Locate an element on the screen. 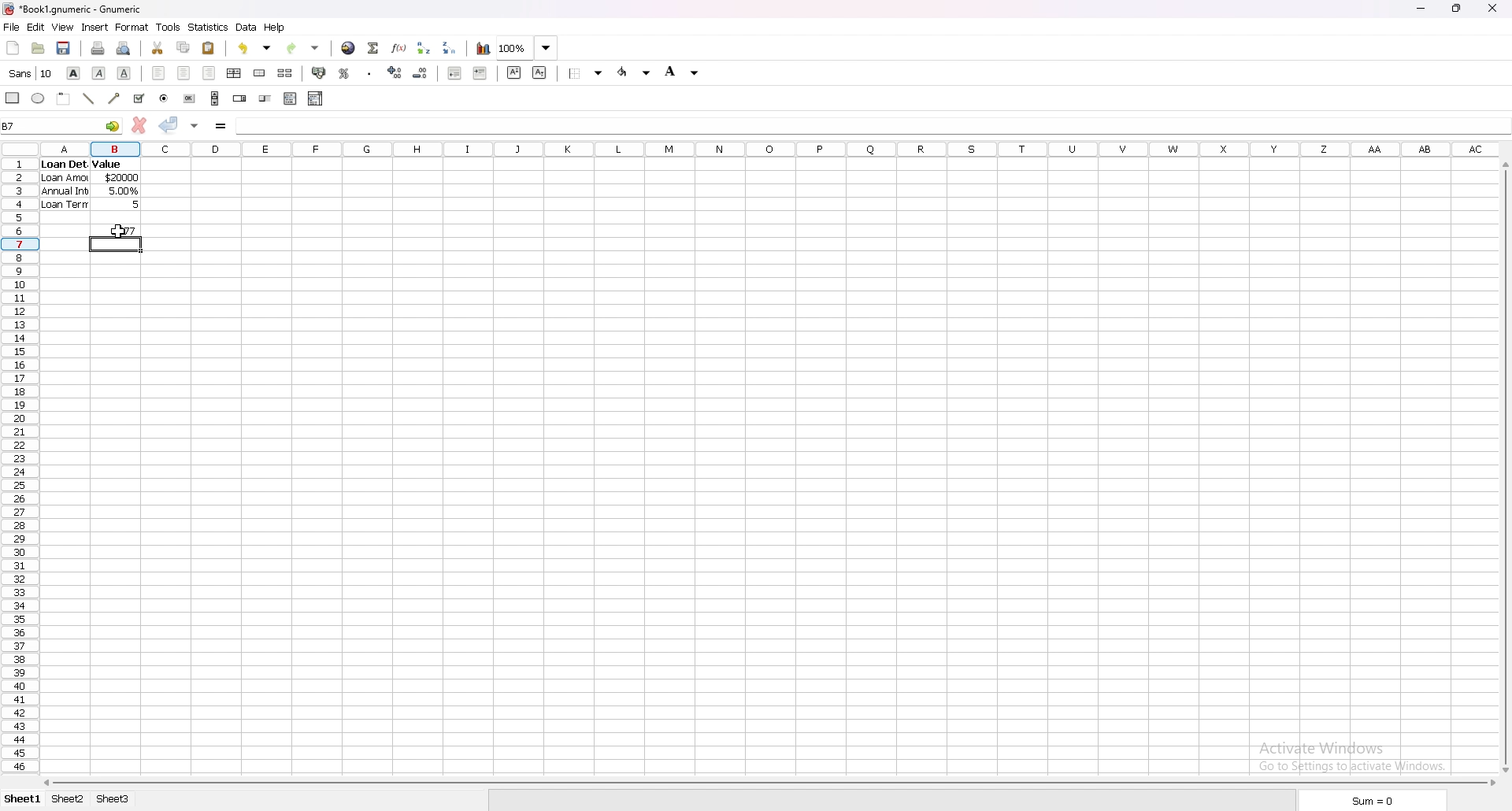  thousand separator is located at coordinates (370, 72).